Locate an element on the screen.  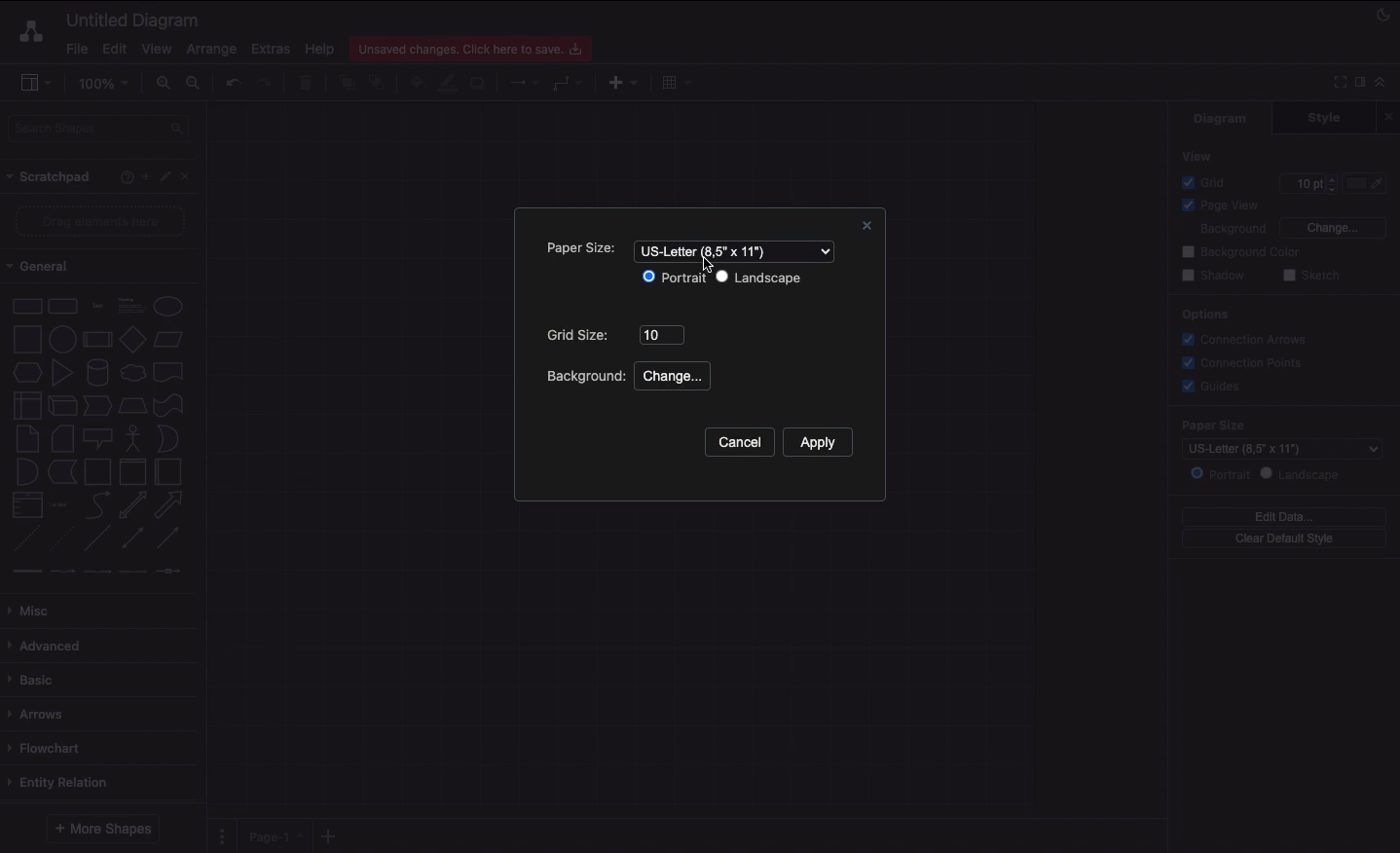
Item list is located at coordinates (64, 505).